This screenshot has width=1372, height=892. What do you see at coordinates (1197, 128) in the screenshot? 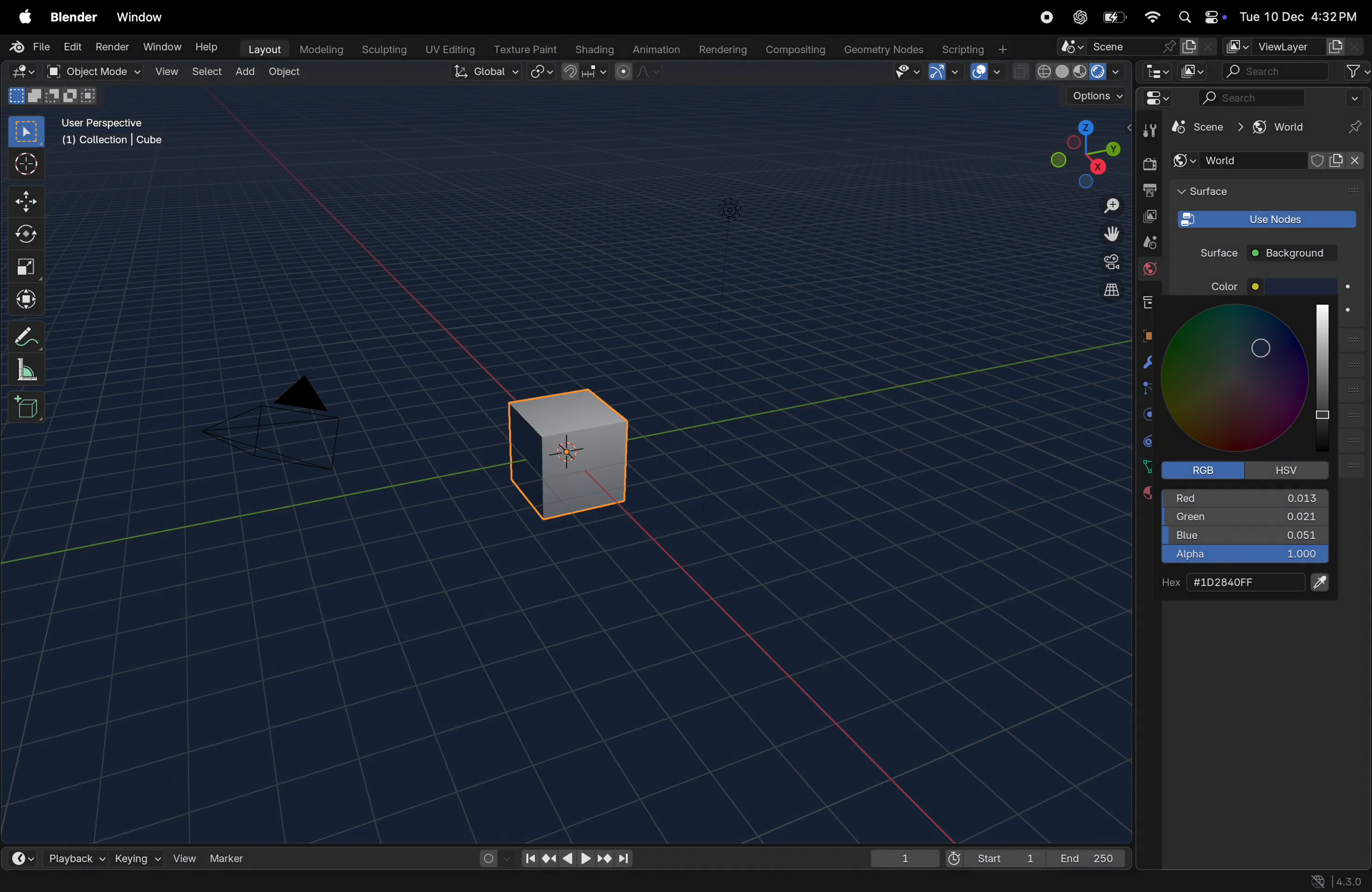
I see `cube` at bounding box center [1197, 128].